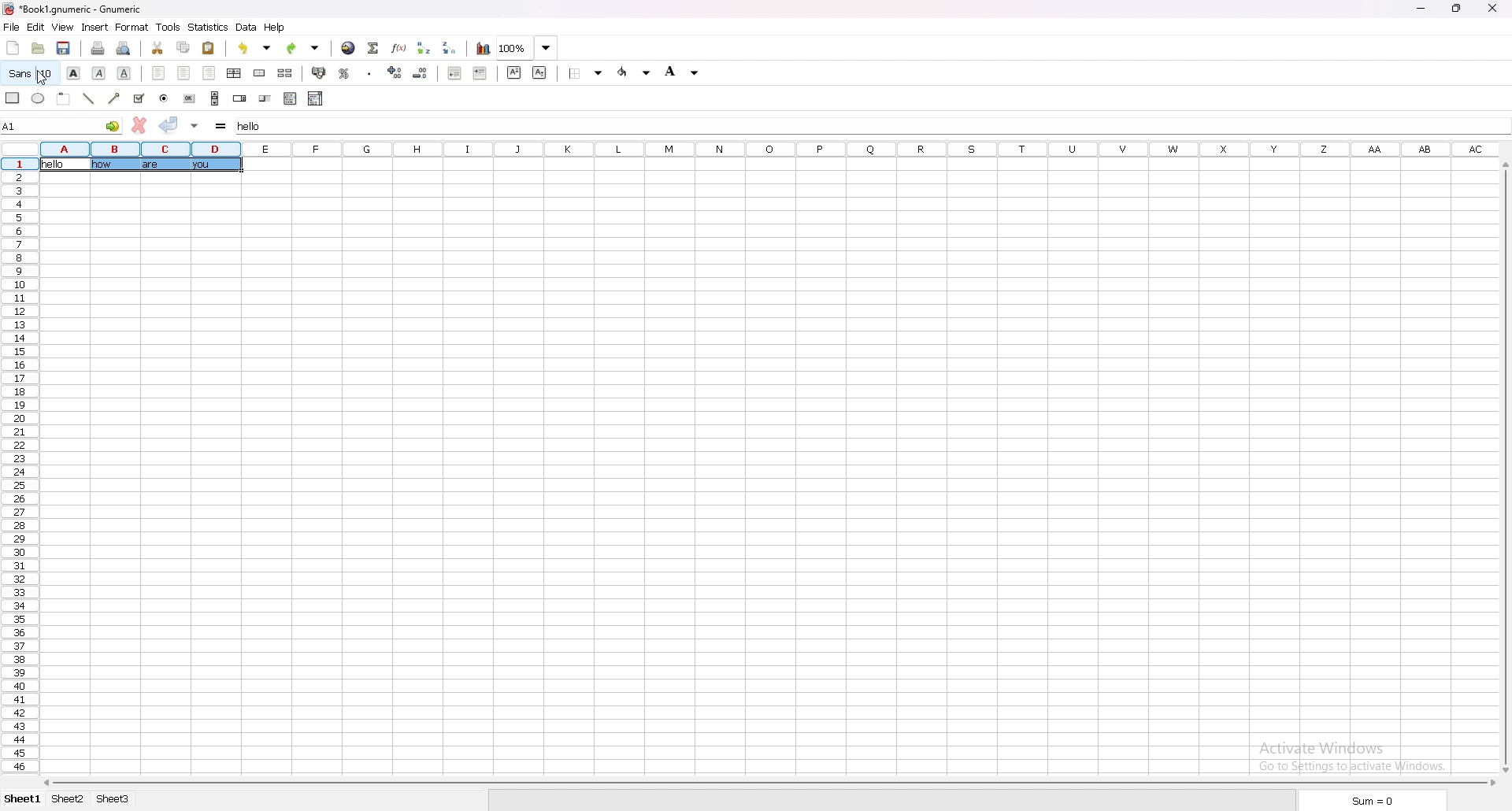 The height and width of the screenshot is (811, 1512). Describe the element at coordinates (37, 98) in the screenshot. I see `ellipse` at that location.